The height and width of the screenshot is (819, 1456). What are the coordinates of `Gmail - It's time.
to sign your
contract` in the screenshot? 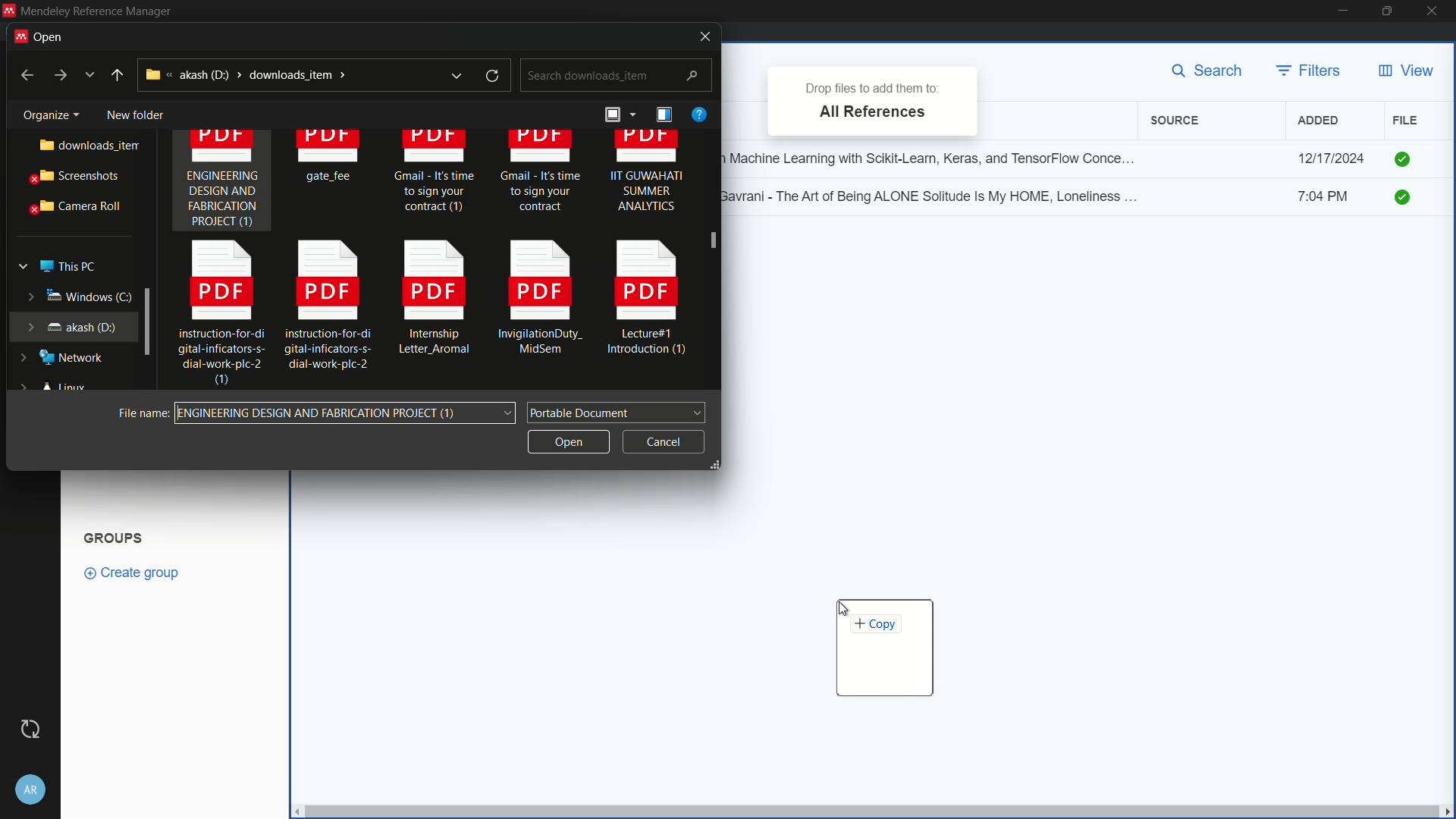 It's located at (541, 174).